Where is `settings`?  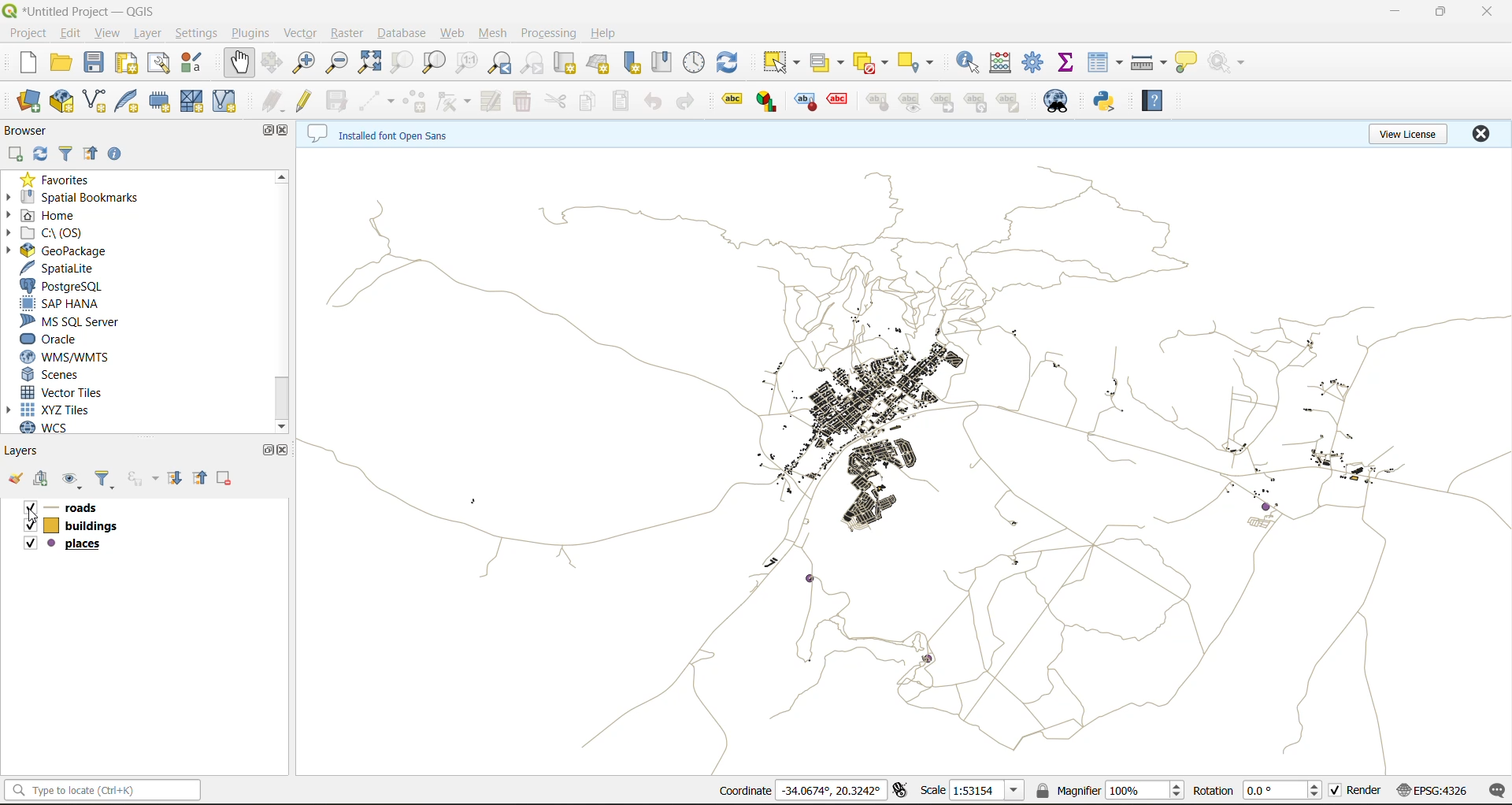 settings is located at coordinates (196, 34).